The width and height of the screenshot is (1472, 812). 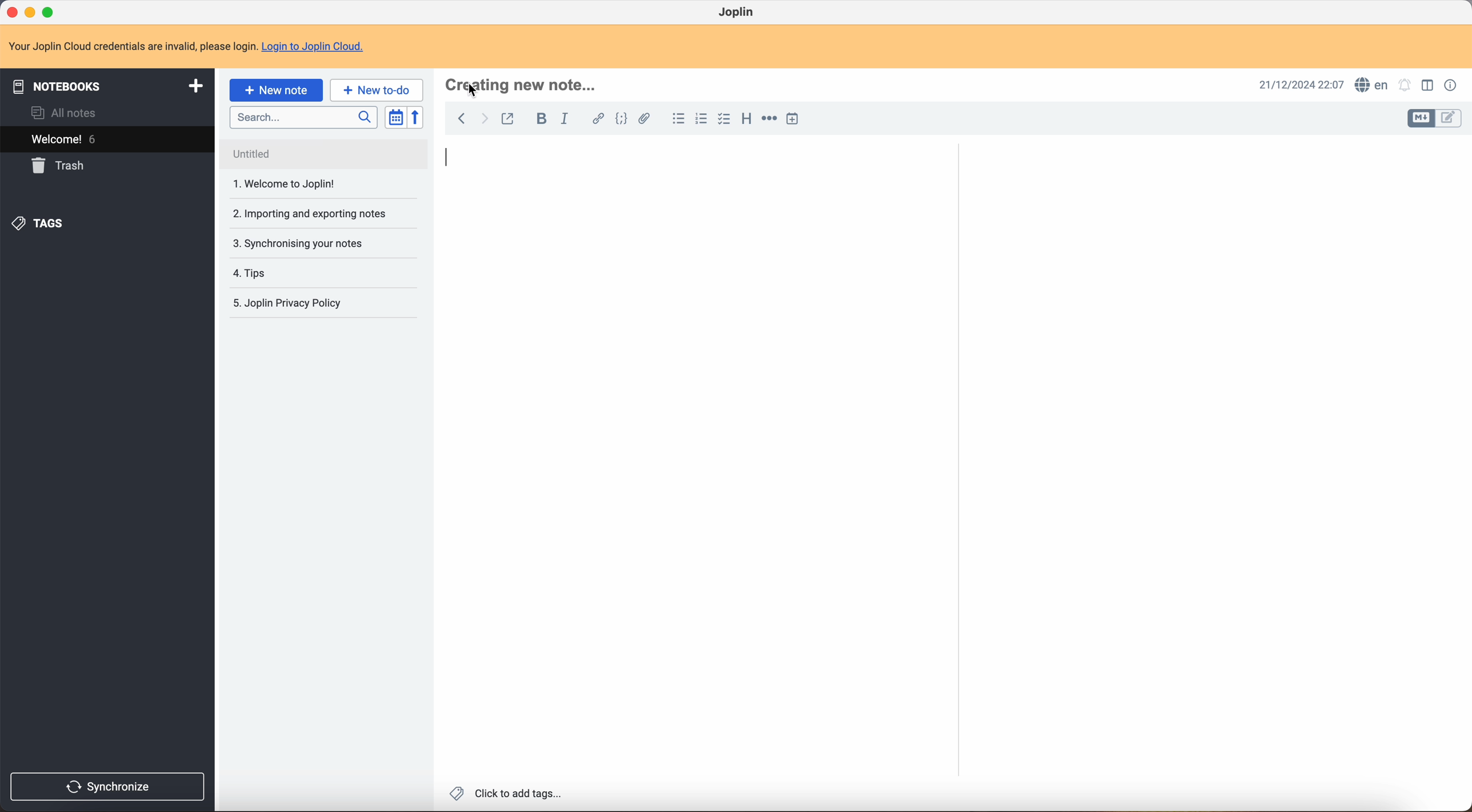 What do you see at coordinates (416, 118) in the screenshot?
I see `reverse sort order` at bounding box center [416, 118].